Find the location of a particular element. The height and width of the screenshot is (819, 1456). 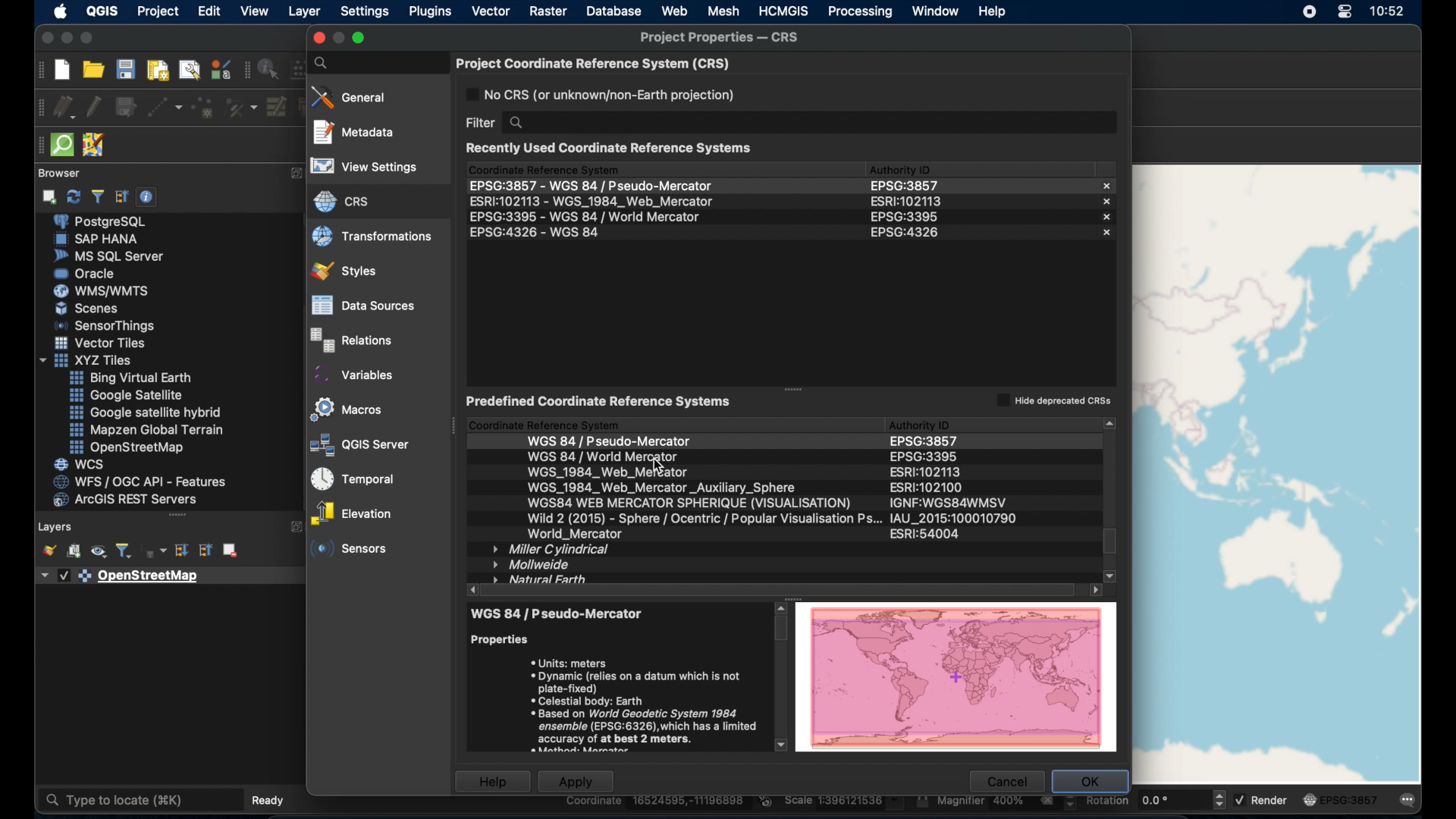

 is located at coordinates (94, 310).